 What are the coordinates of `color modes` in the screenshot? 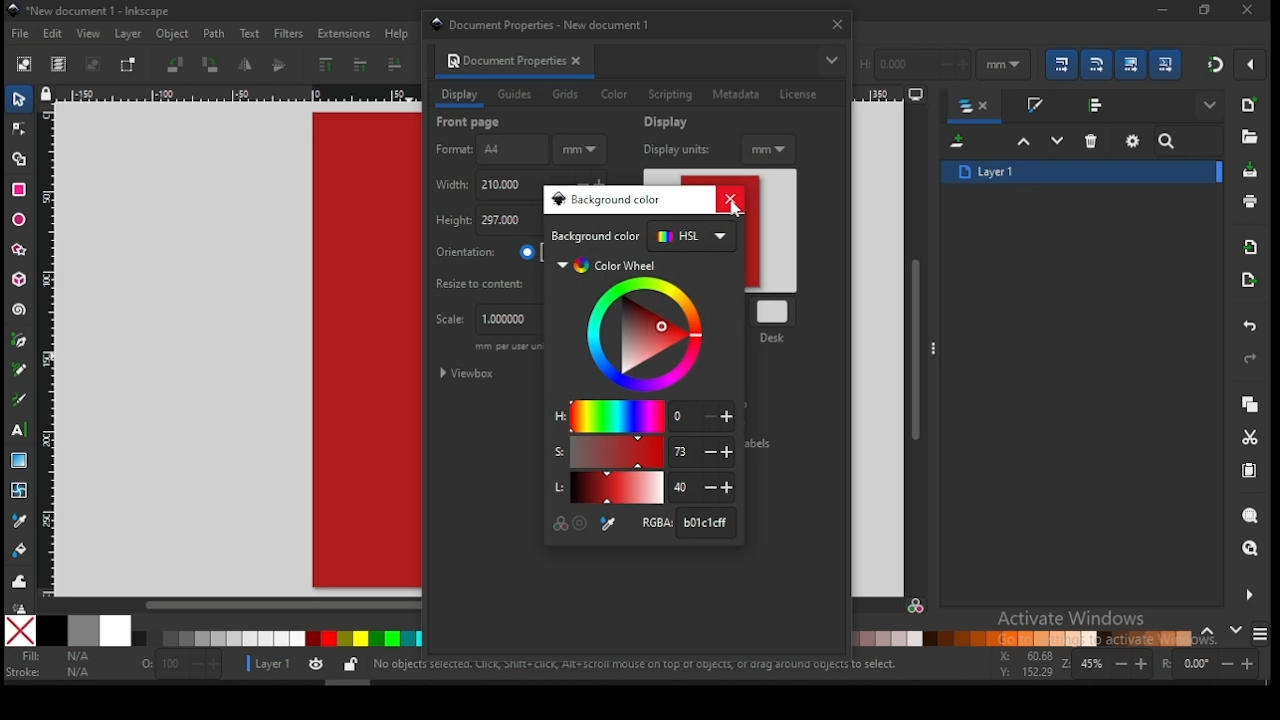 It's located at (1260, 634).